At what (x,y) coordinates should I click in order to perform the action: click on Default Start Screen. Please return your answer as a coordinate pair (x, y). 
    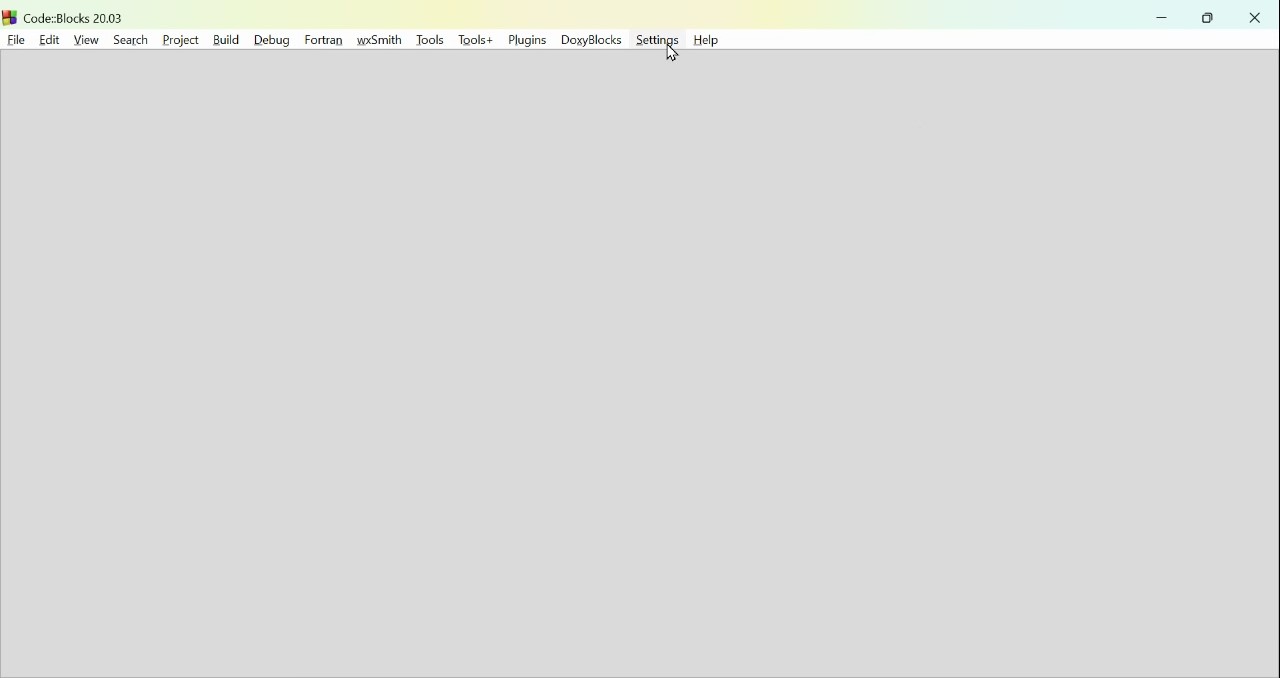
    Looking at the image, I should click on (637, 366).